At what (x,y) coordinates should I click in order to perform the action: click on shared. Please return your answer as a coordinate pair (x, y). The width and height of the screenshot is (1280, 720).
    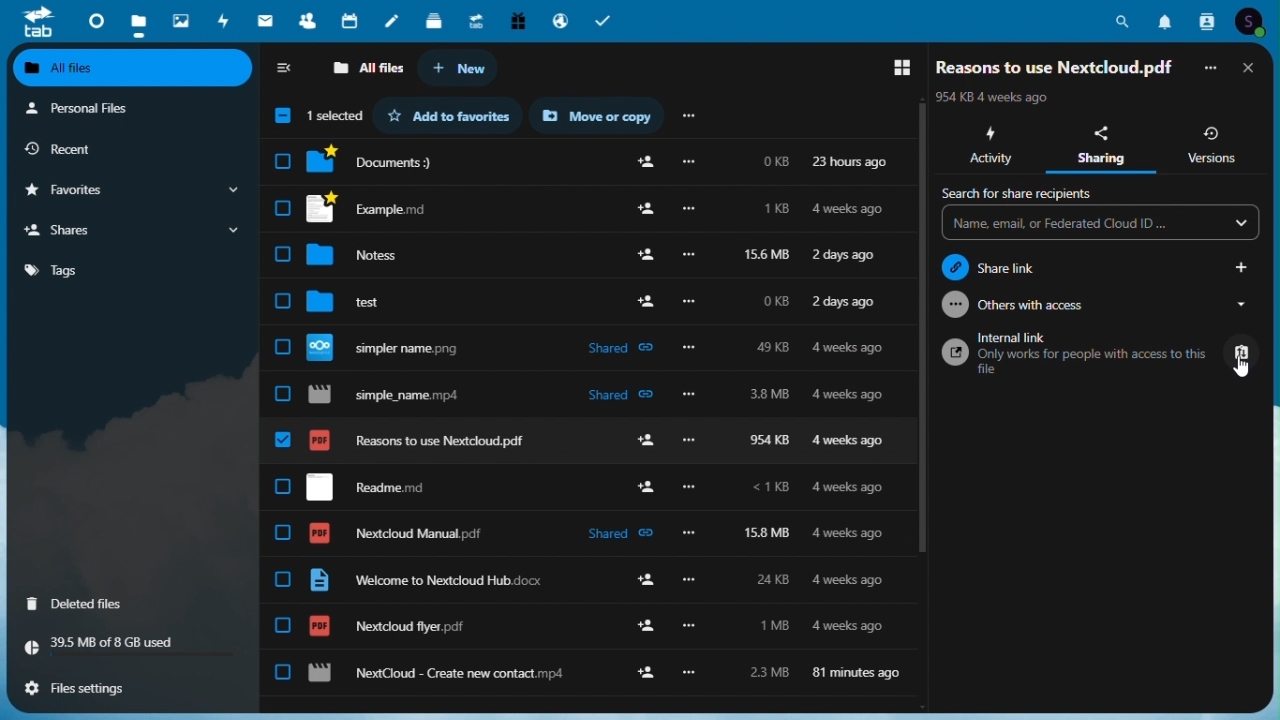
    Looking at the image, I should click on (613, 534).